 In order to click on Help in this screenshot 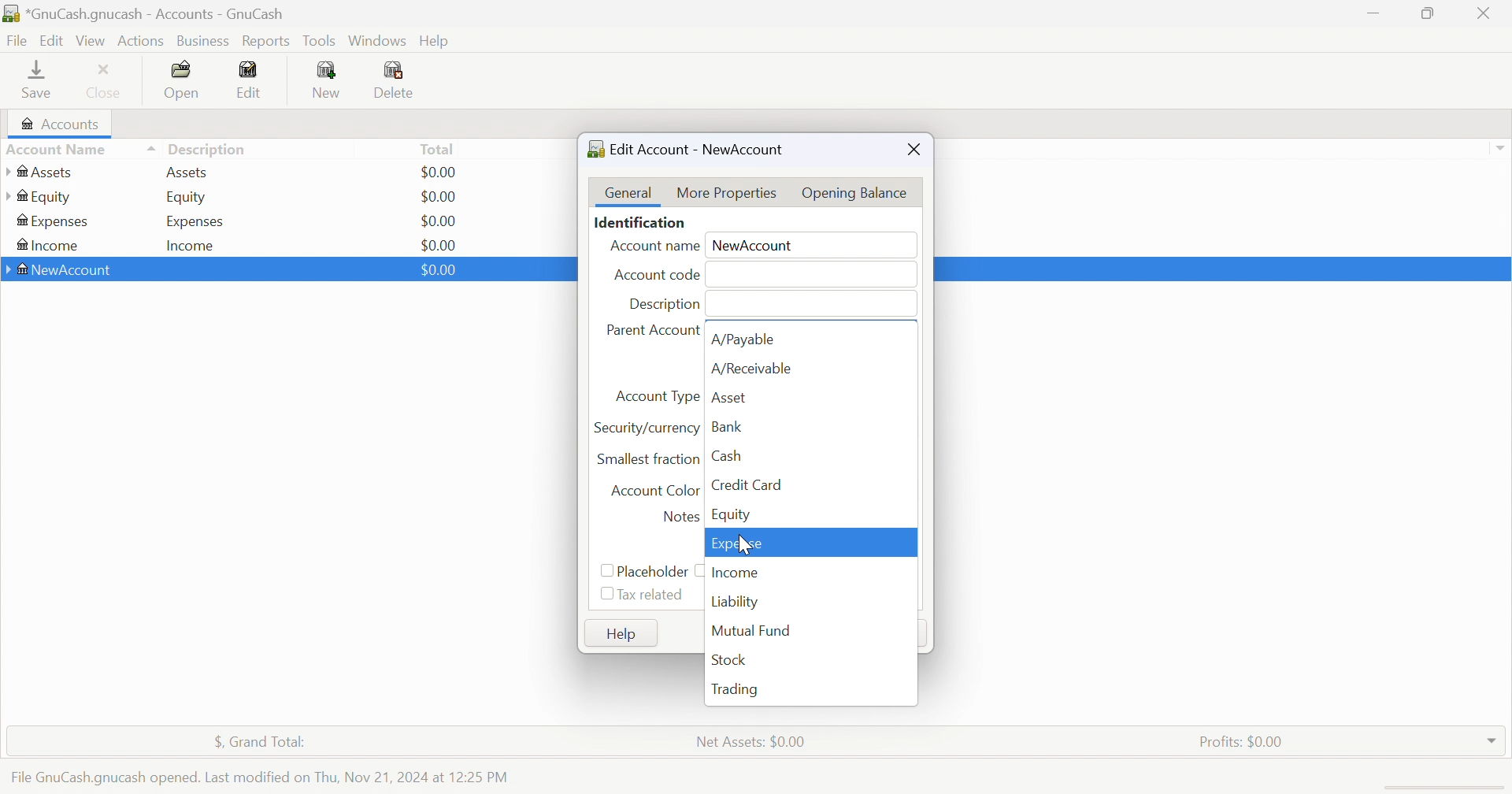, I will do `click(618, 633)`.